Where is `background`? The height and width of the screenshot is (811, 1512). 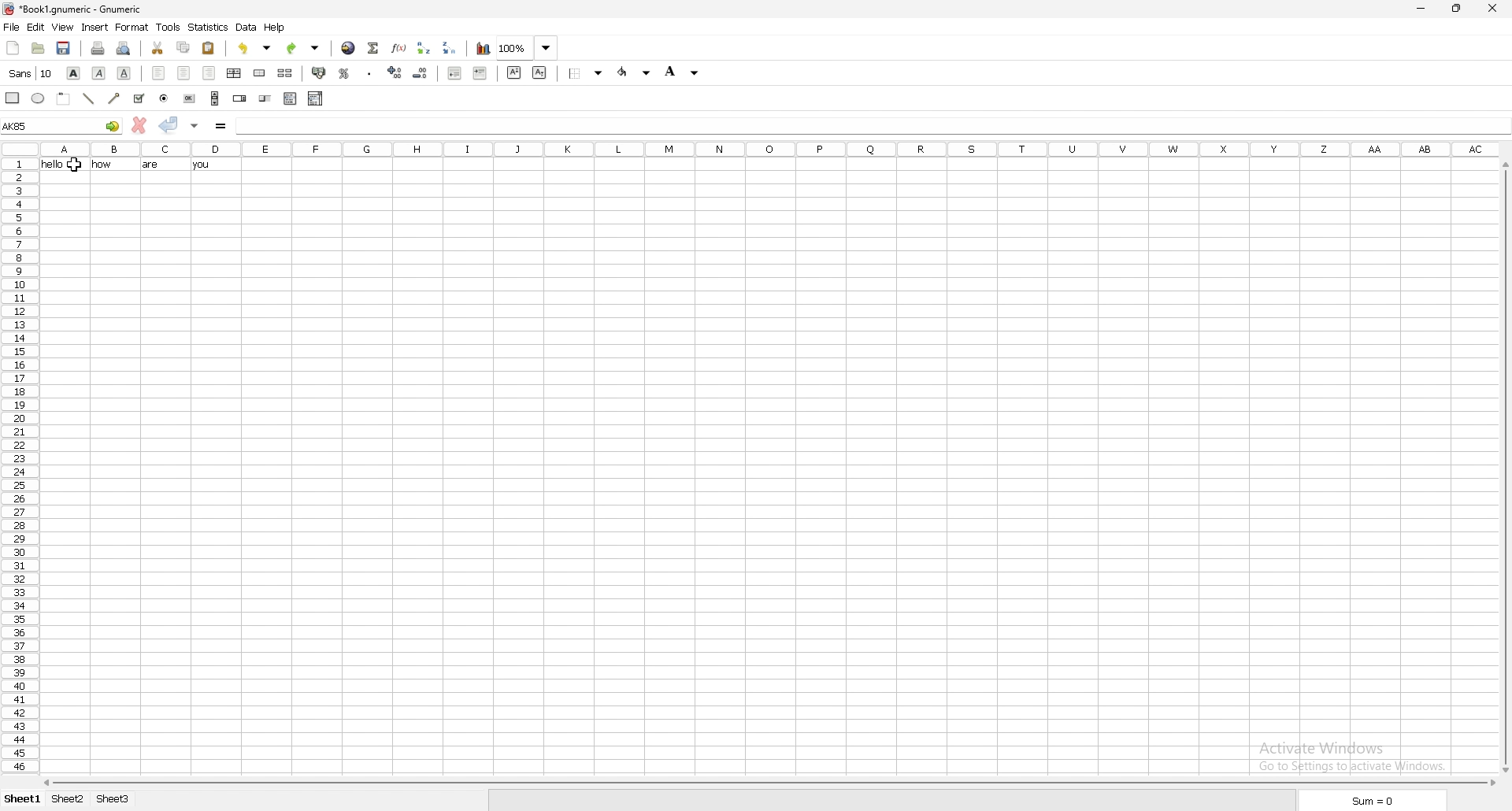 background is located at coordinates (684, 71).